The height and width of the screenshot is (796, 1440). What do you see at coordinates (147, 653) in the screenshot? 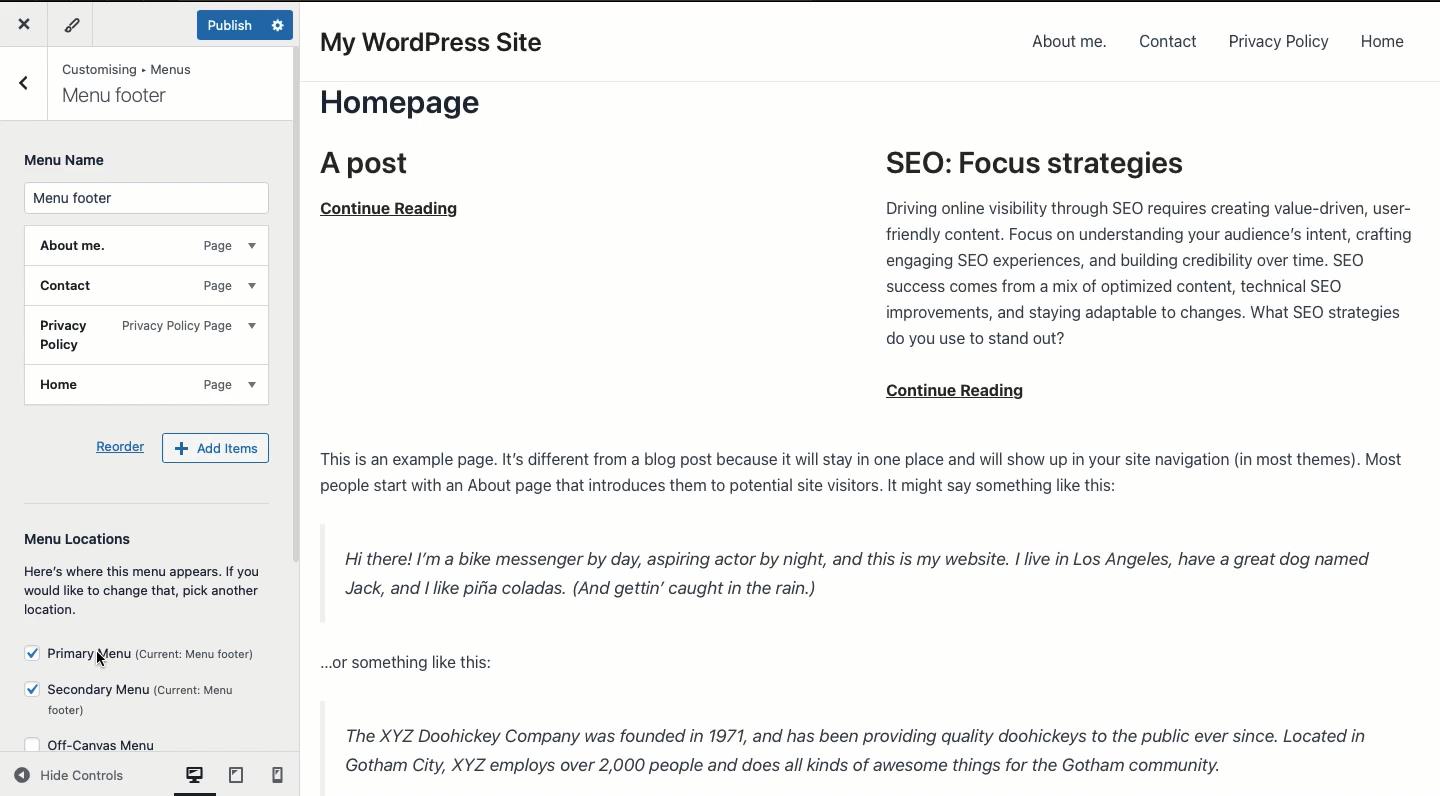
I see `Primary menu` at bounding box center [147, 653].